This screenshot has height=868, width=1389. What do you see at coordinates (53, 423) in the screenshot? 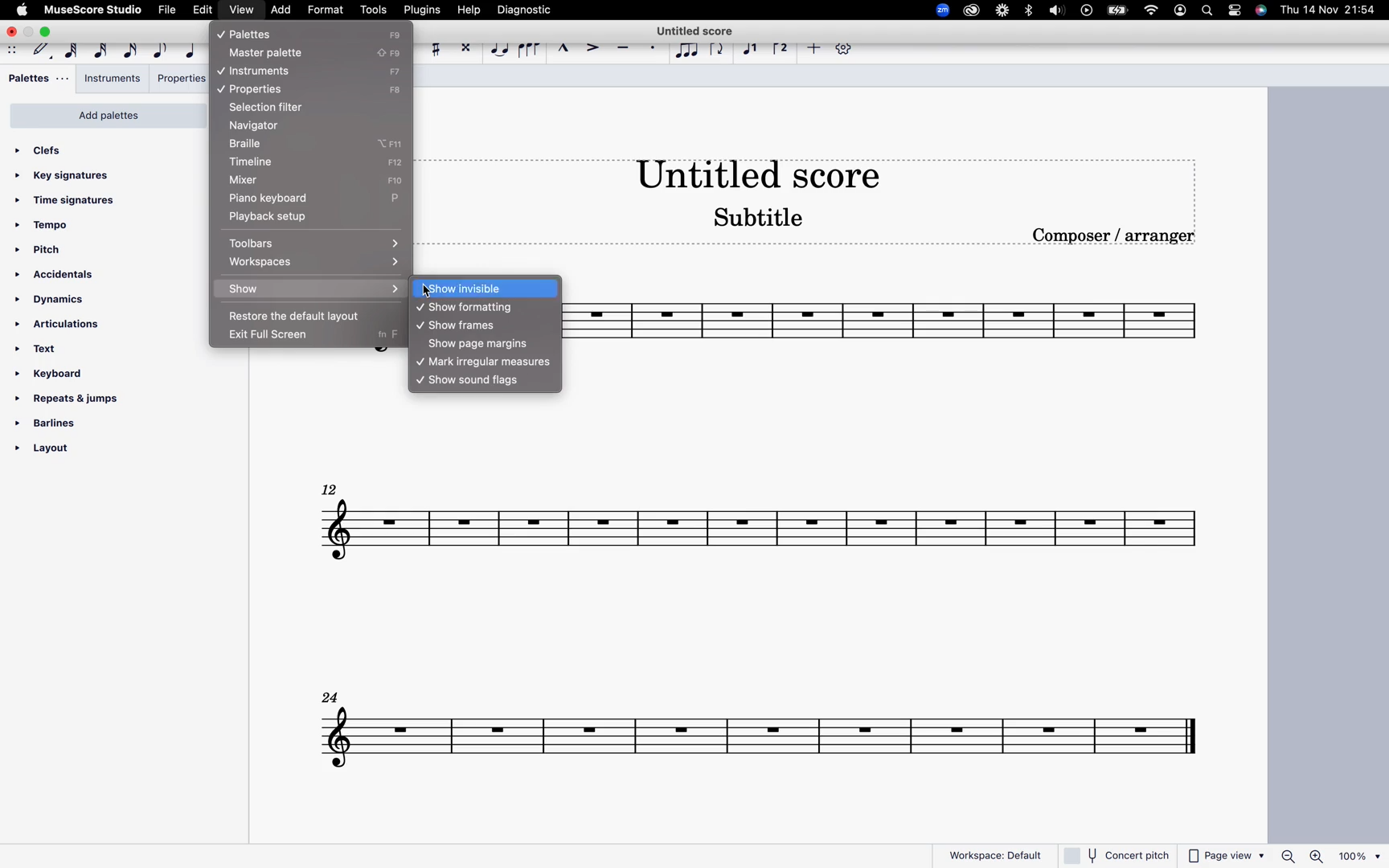
I see `barlines` at bounding box center [53, 423].